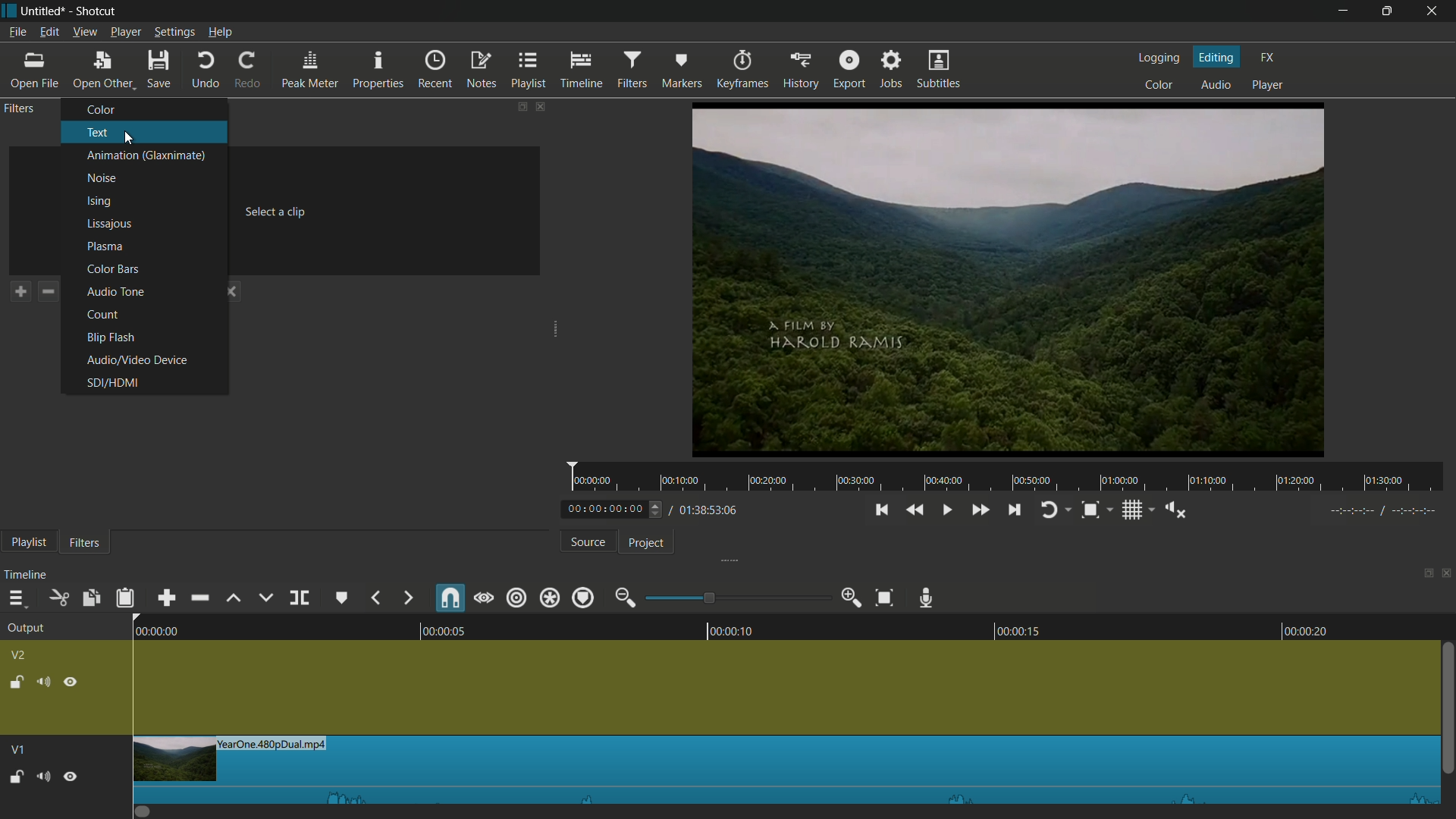  What do you see at coordinates (949, 510) in the screenshot?
I see `toggle play or pause` at bounding box center [949, 510].